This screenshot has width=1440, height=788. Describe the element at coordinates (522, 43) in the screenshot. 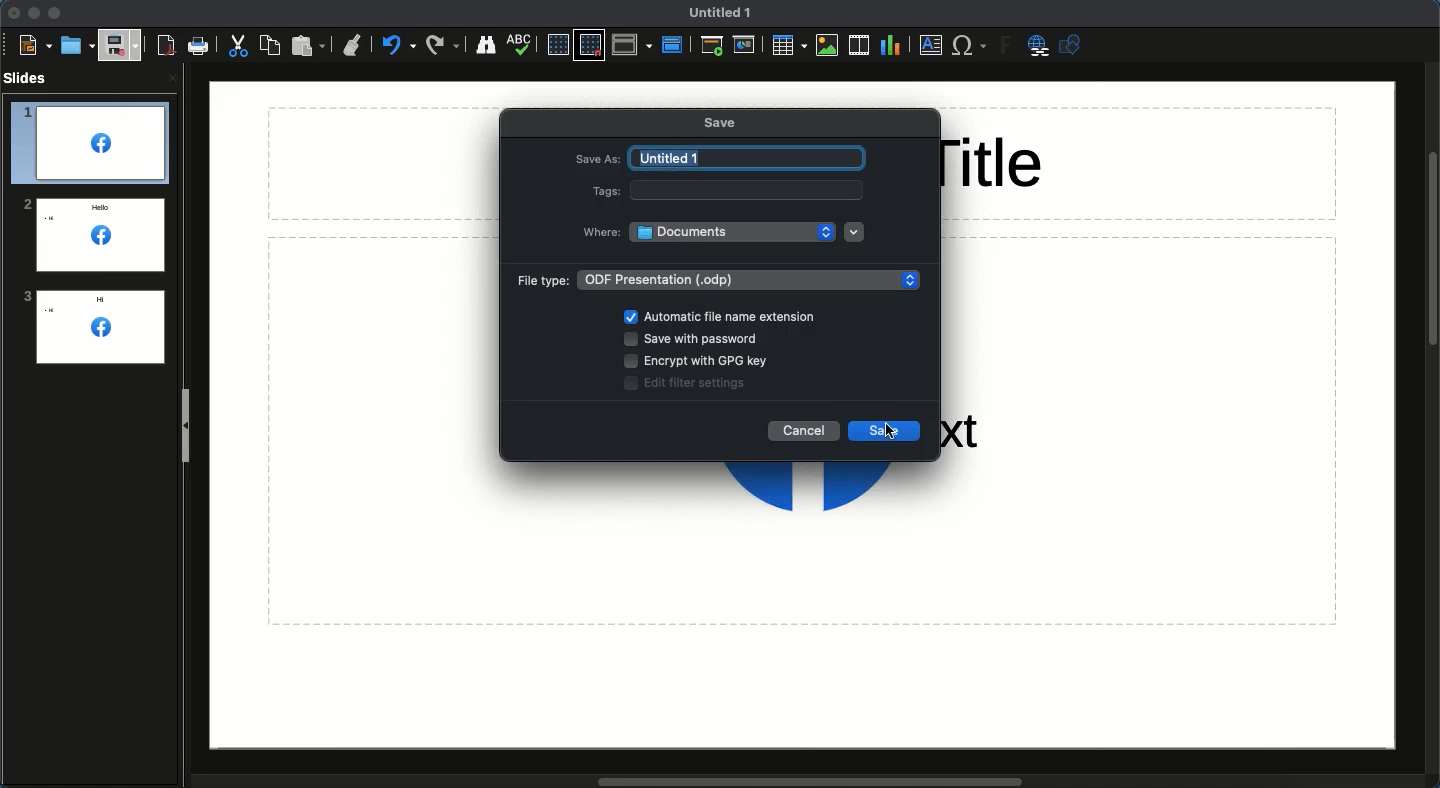

I see `Spelling` at that location.